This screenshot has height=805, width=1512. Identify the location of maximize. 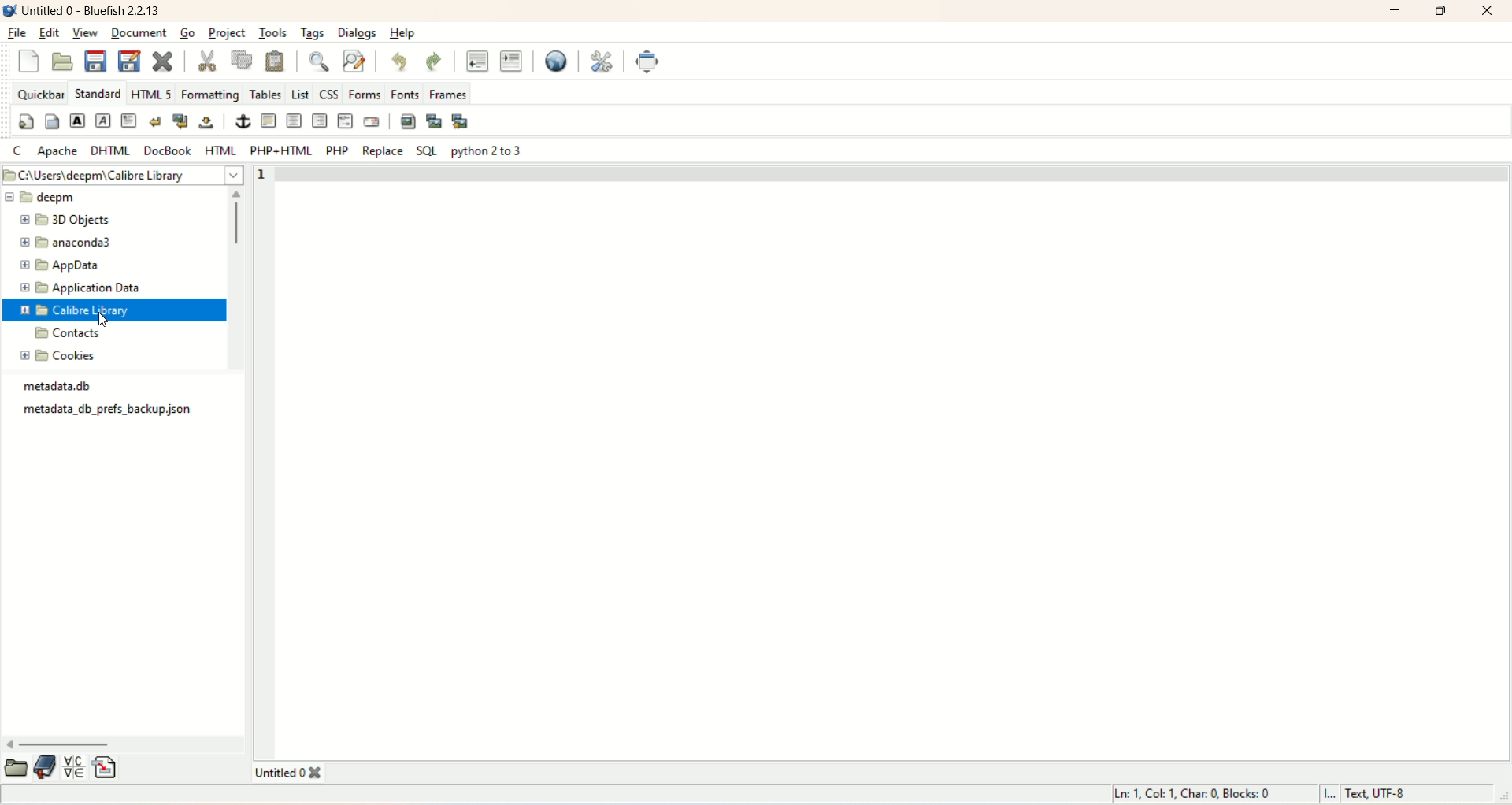
(1442, 12).